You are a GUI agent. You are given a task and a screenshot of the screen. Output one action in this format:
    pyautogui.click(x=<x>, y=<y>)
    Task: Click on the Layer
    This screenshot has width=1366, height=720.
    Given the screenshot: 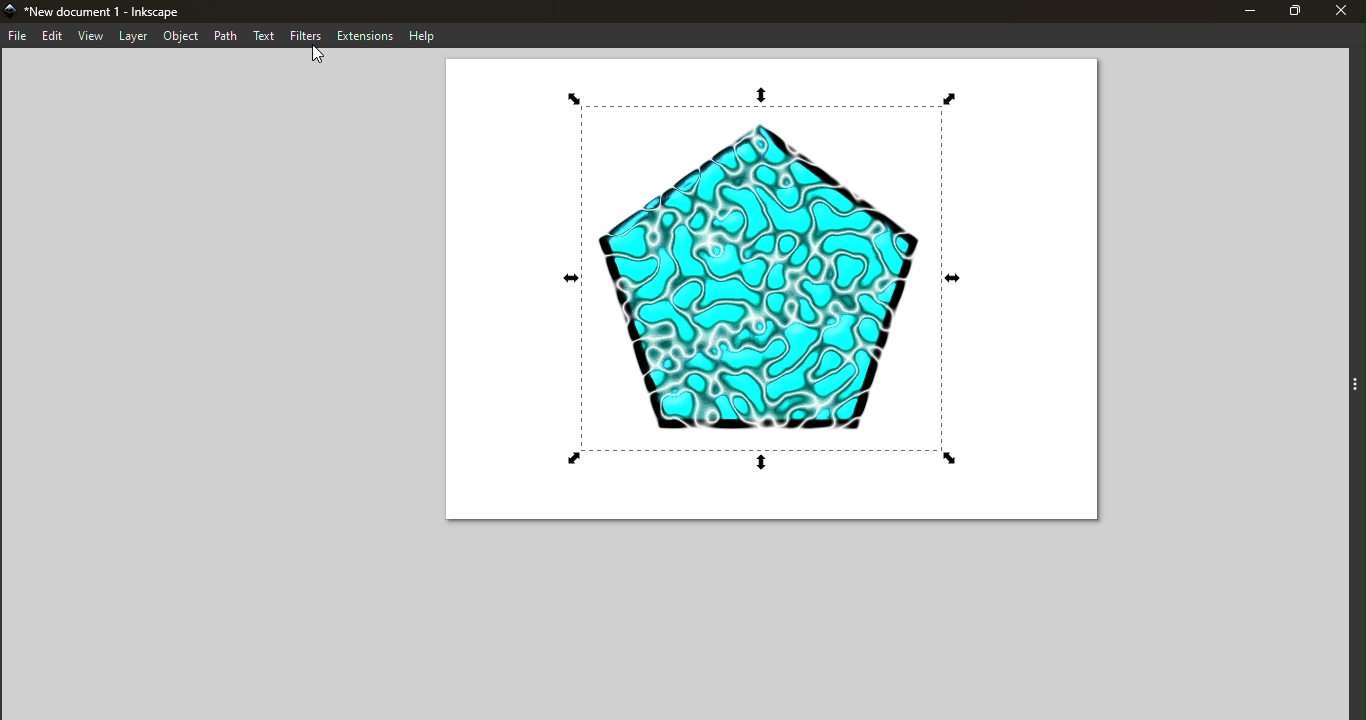 What is the action you would take?
    pyautogui.click(x=130, y=37)
    